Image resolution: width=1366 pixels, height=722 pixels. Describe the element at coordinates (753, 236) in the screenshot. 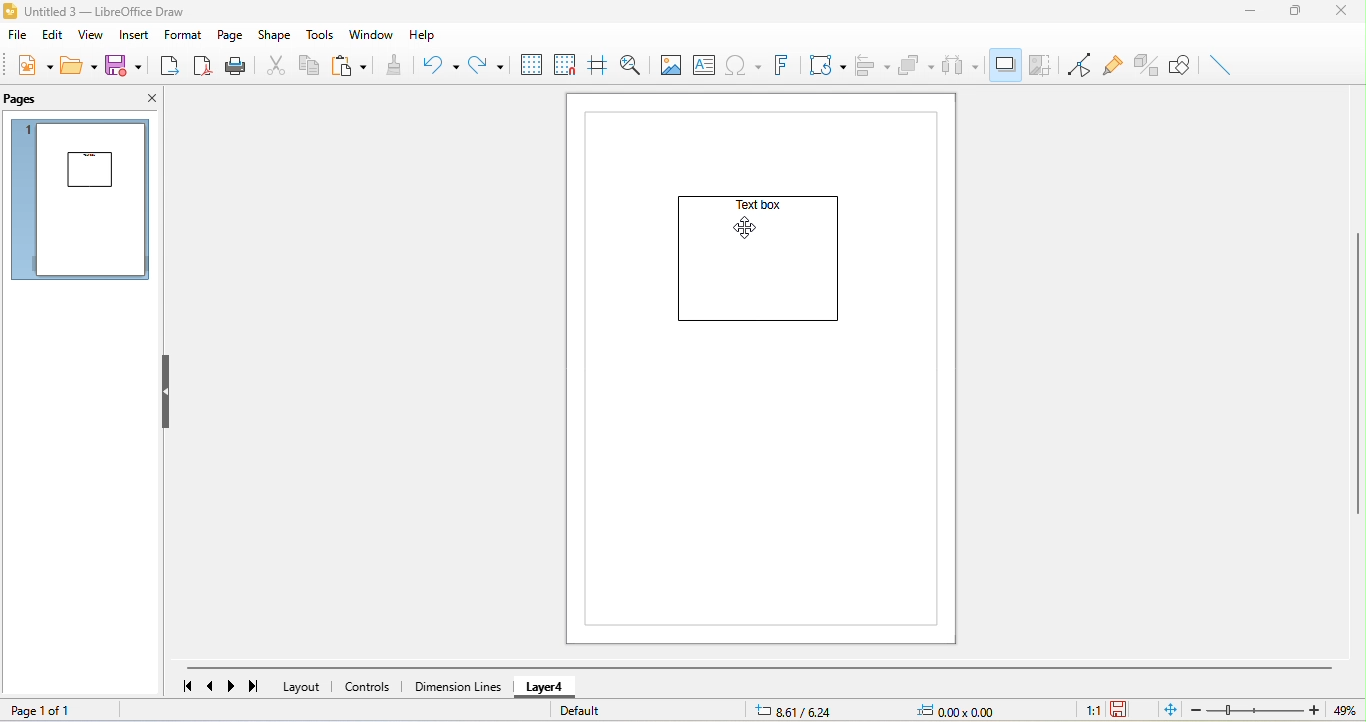

I see `cursor` at that location.